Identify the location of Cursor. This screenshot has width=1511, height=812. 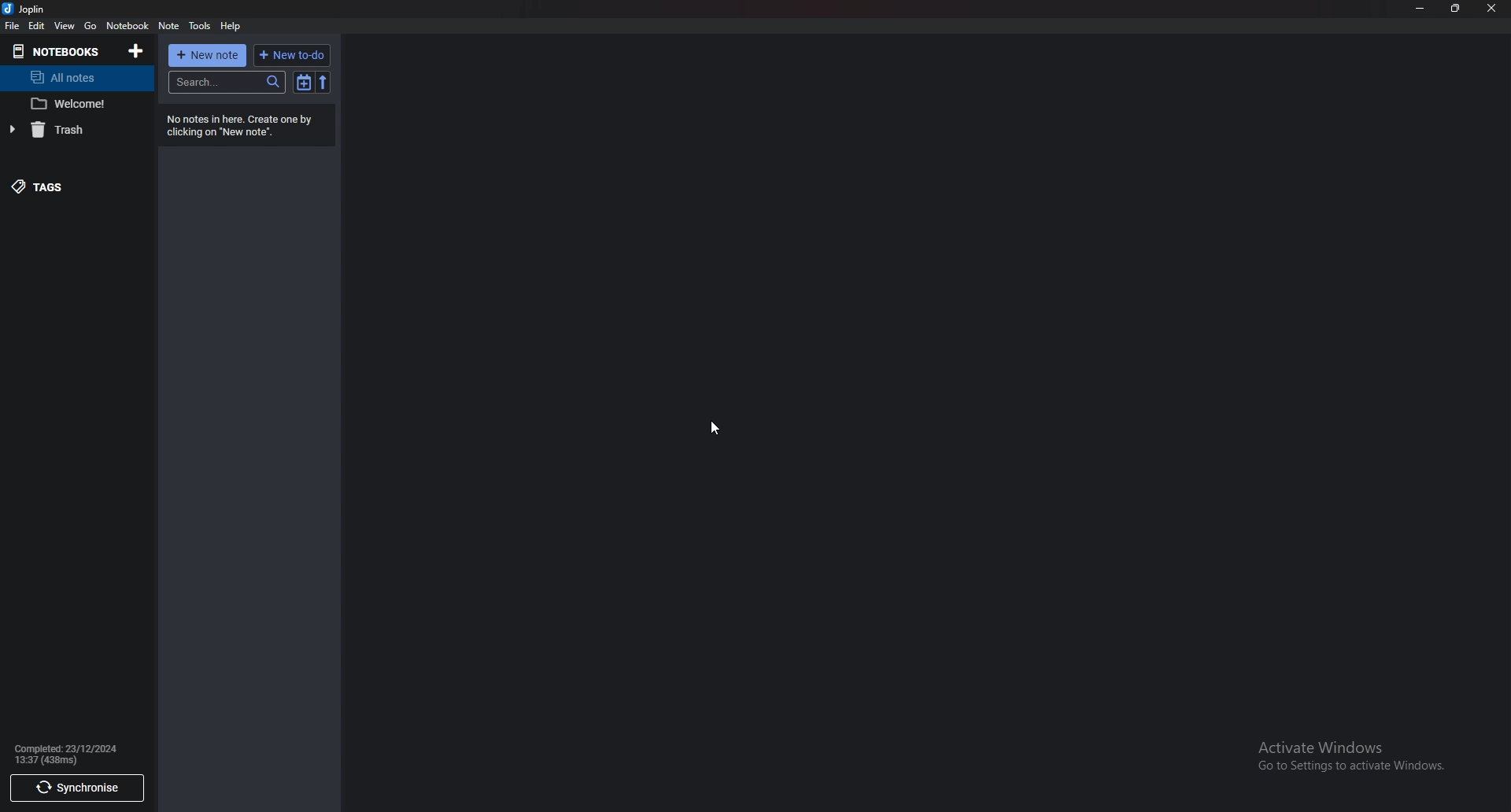
(719, 427).